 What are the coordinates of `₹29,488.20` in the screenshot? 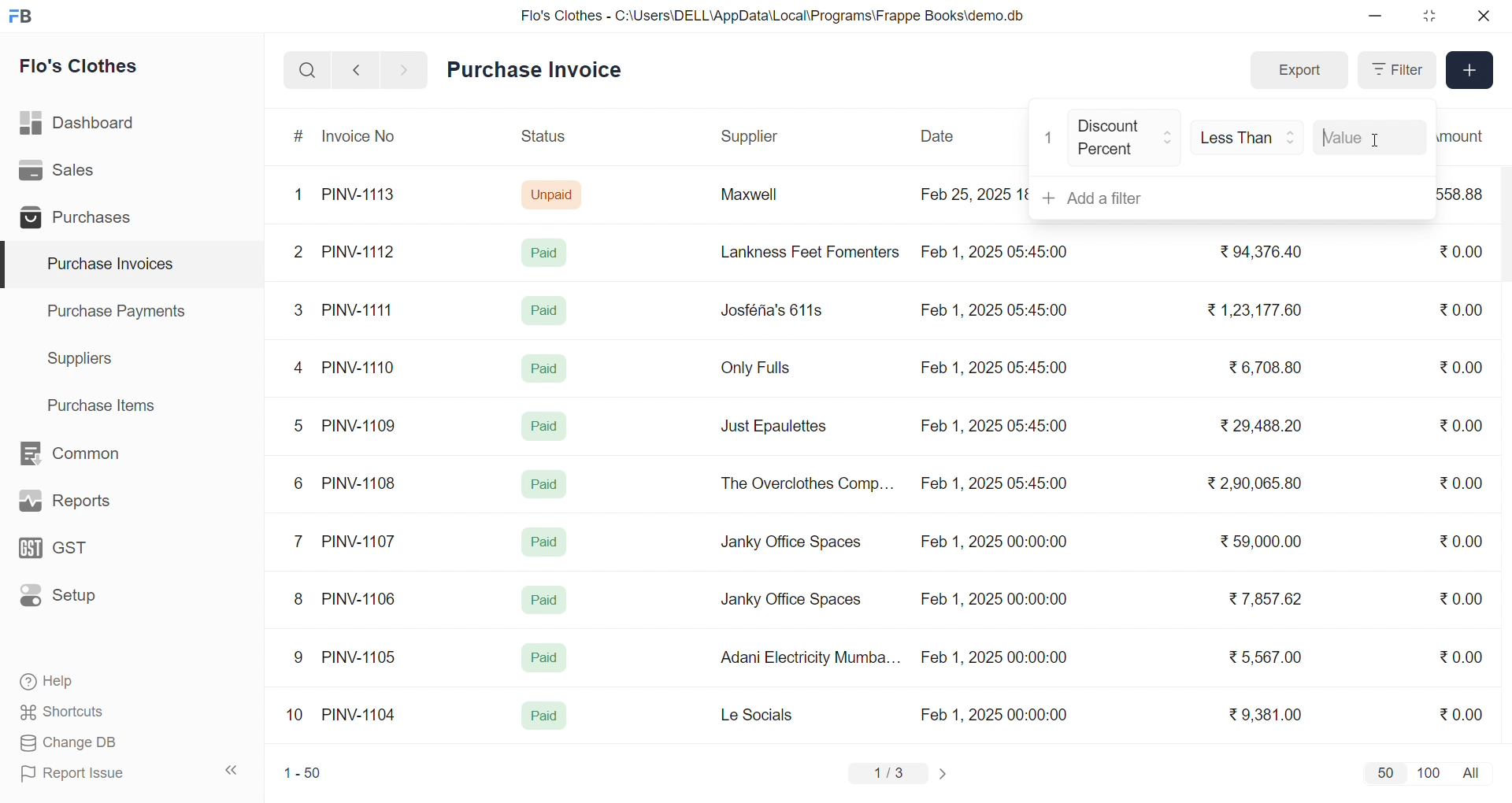 It's located at (1256, 426).